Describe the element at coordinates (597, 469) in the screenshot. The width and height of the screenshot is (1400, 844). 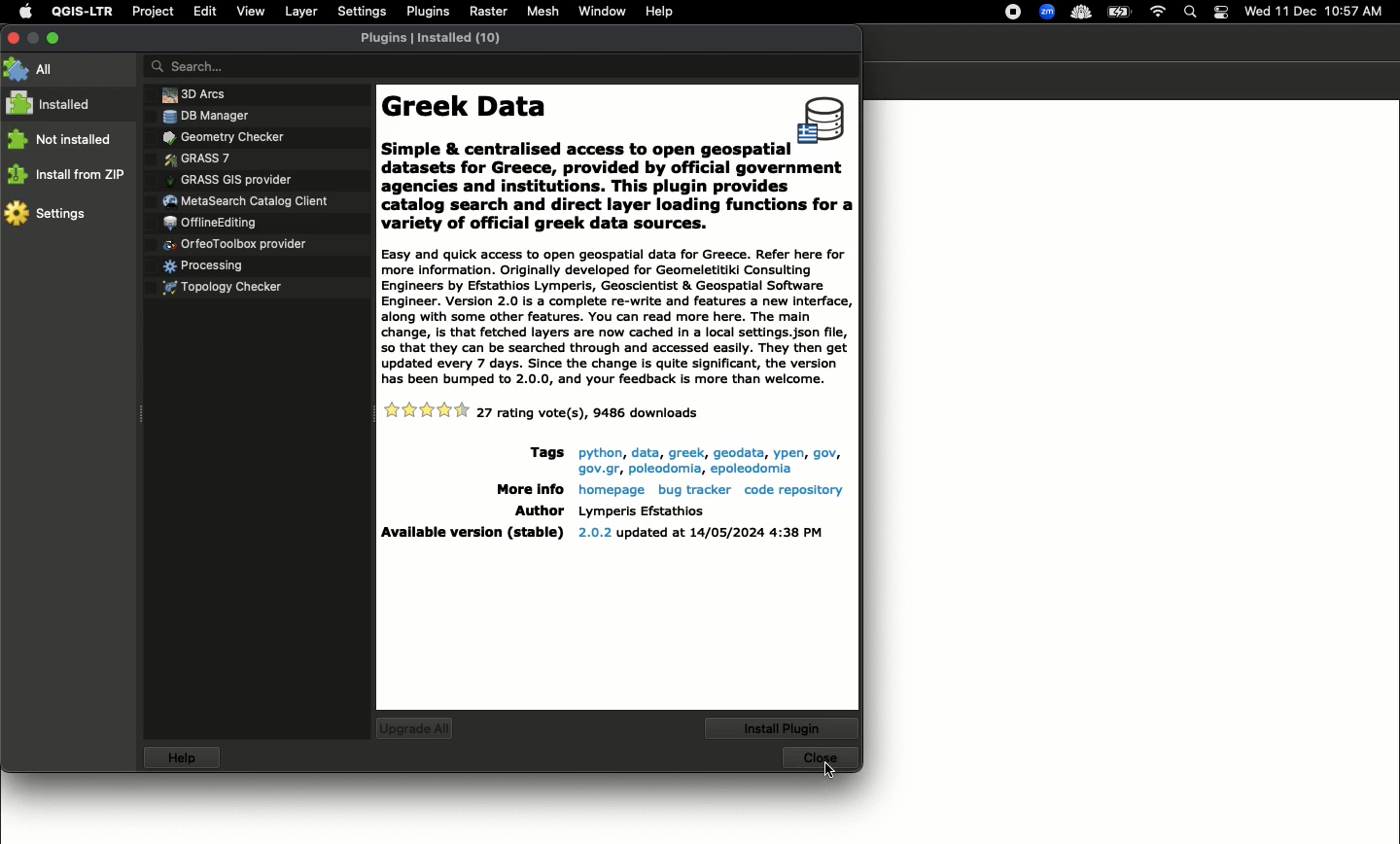
I see `gov gr` at that location.